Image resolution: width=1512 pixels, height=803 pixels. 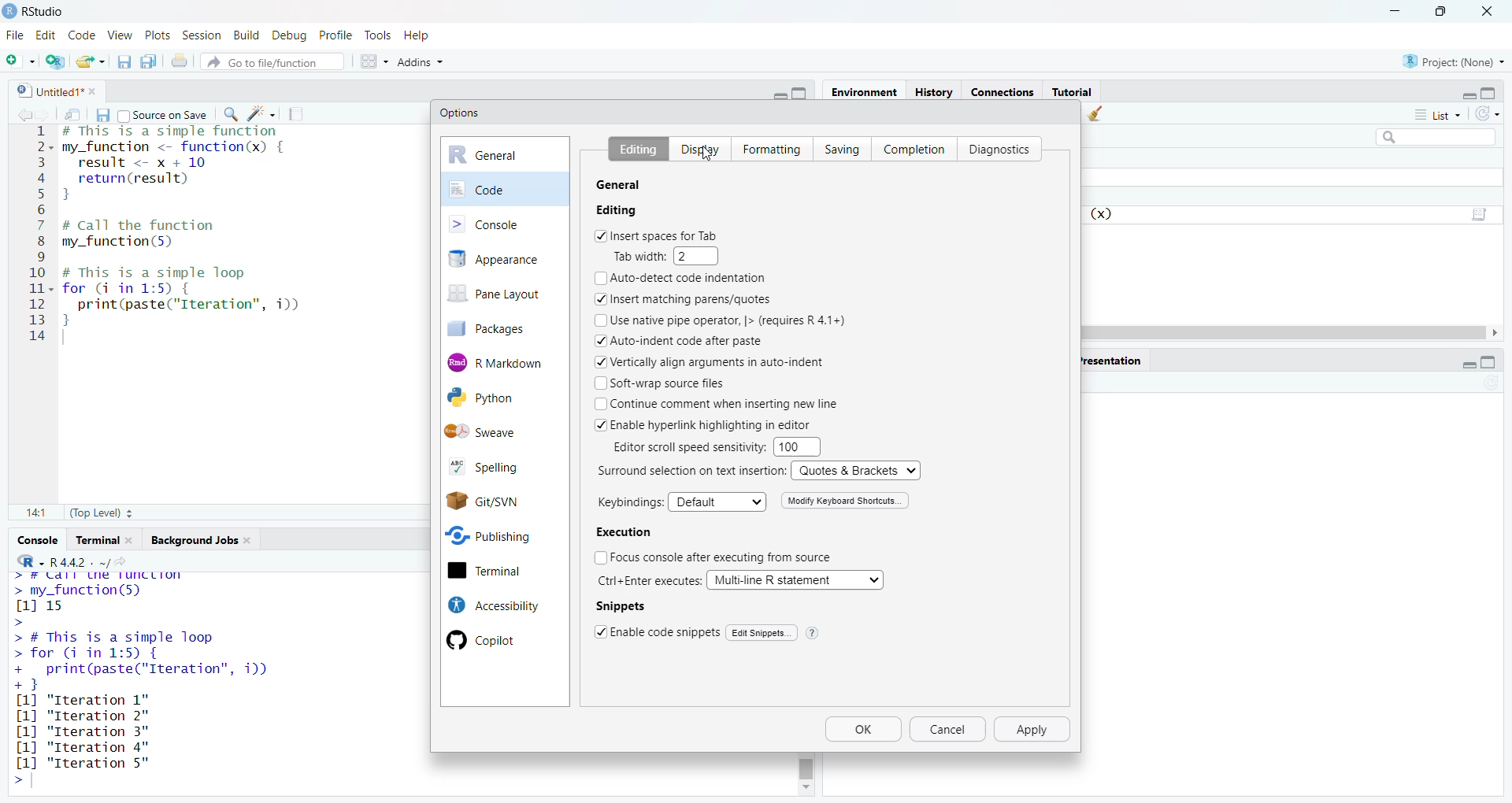 What do you see at coordinates (1495, 116) in the screenshot?
I see `refresh the list of objects in the environment` at bounding box center [1495, 116].